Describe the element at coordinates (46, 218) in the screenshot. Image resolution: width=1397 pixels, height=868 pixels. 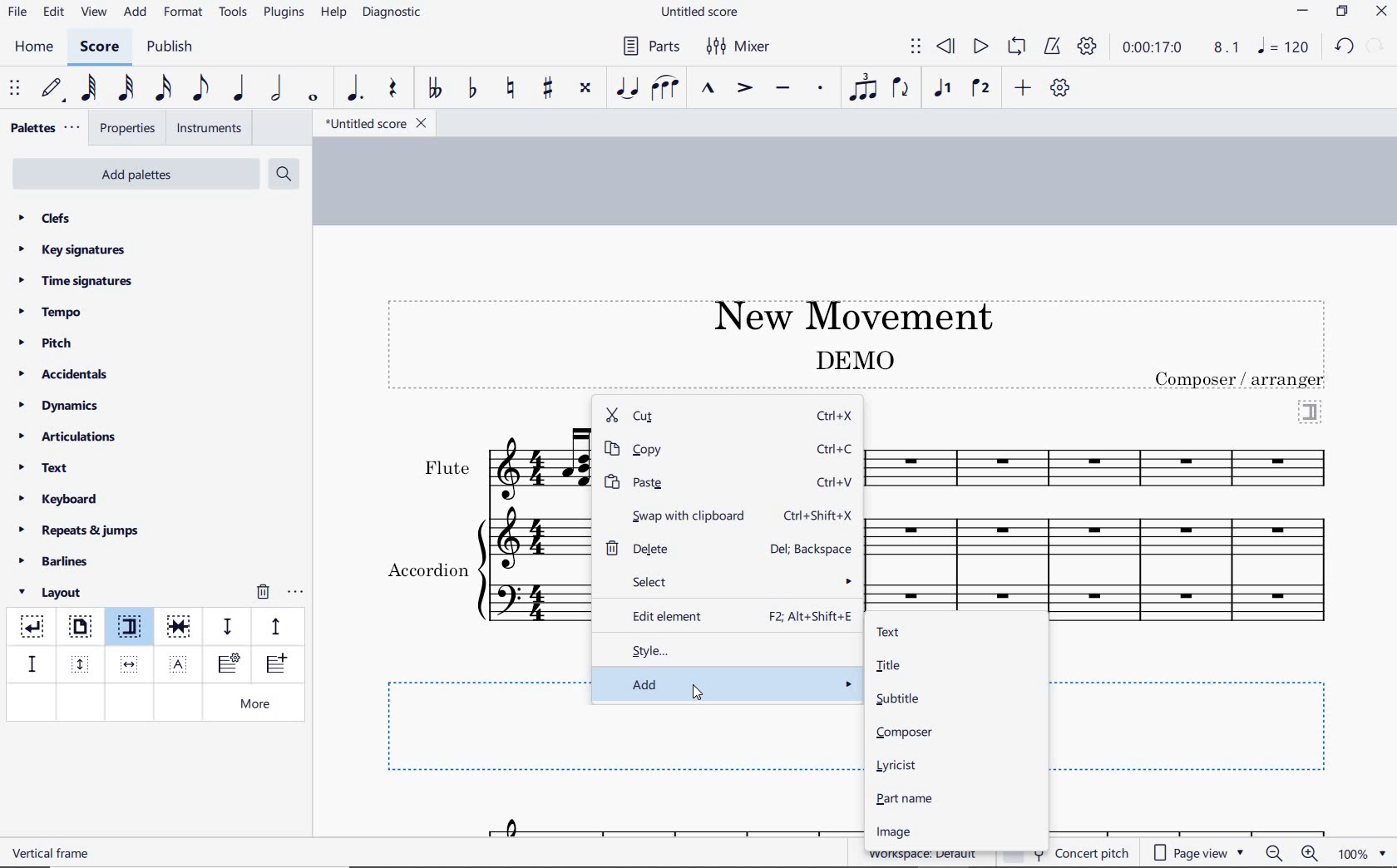
I see `clefs` at that location.